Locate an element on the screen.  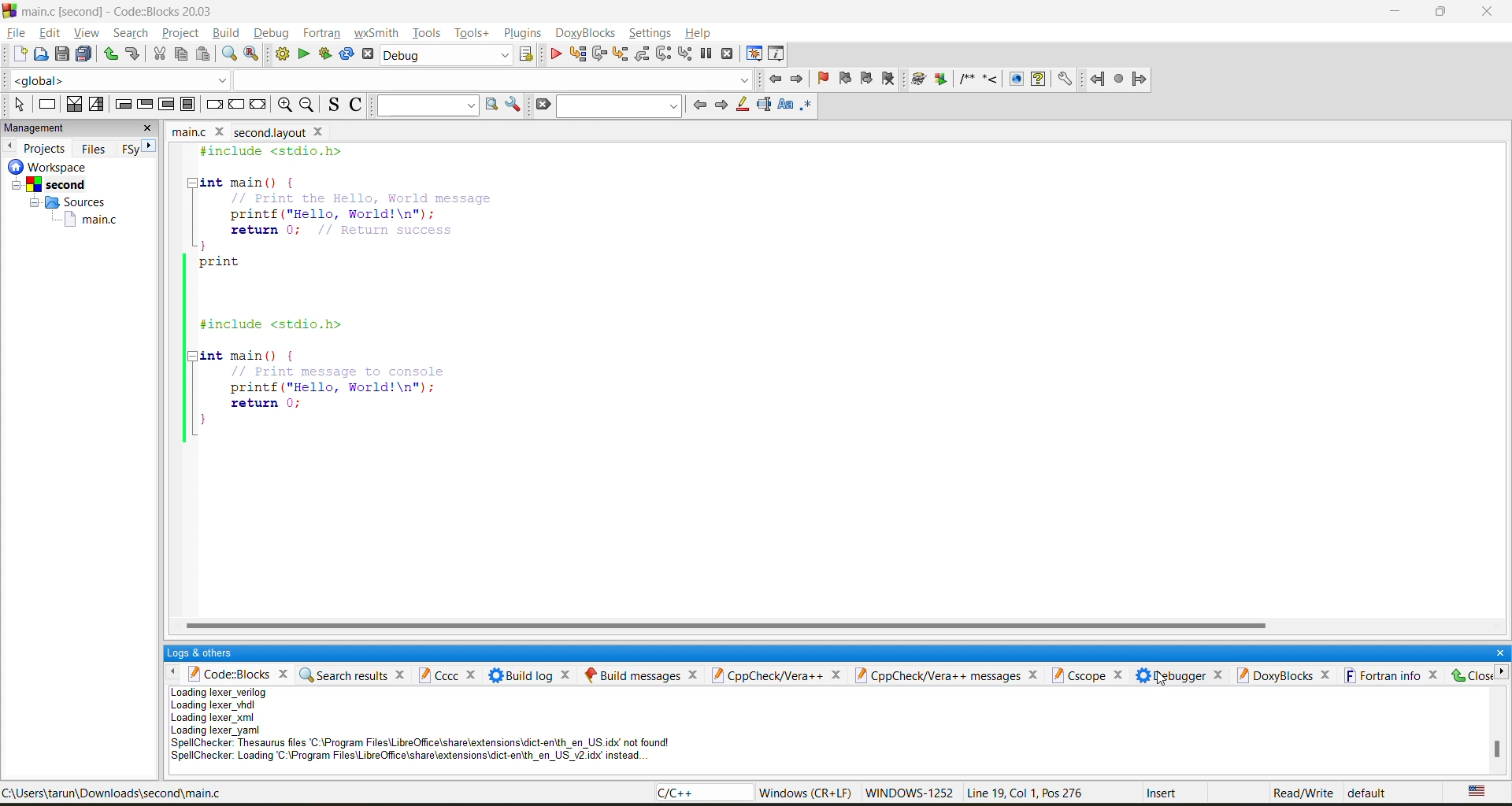
clear bookmark is located at coordinates (891, 82).